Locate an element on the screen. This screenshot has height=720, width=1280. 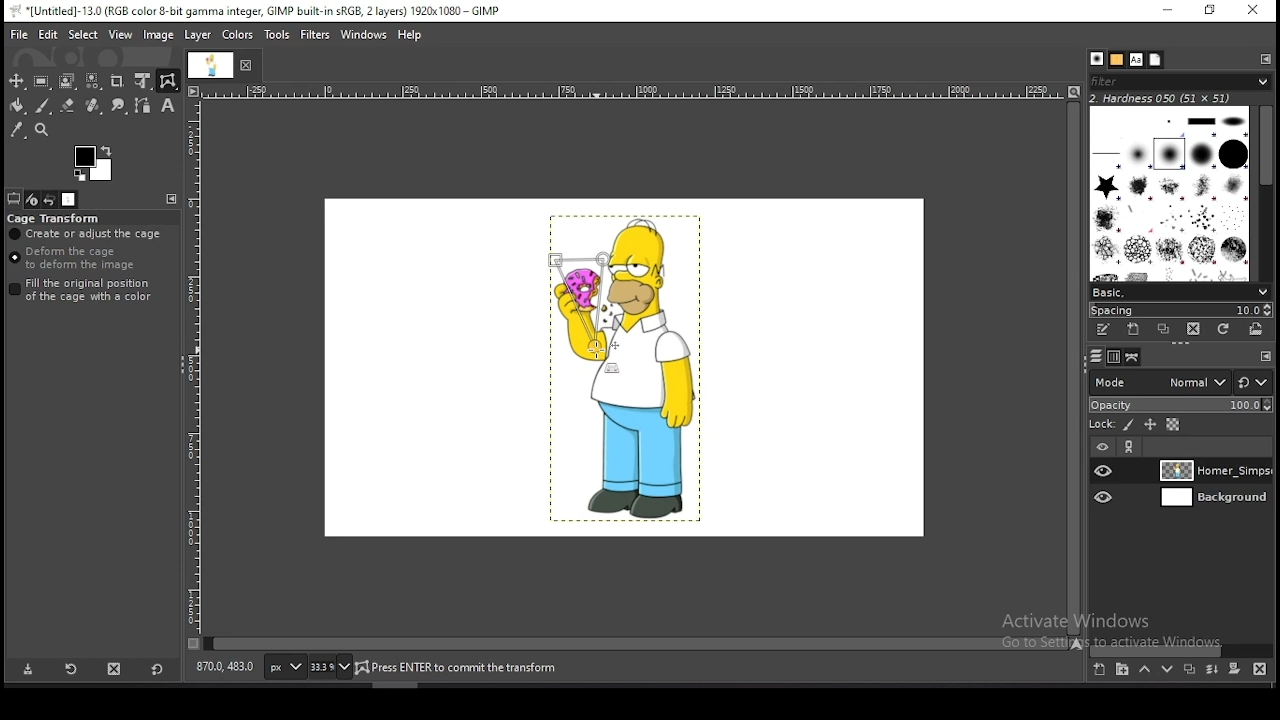
spacing is located at coordinates (1180, 309).